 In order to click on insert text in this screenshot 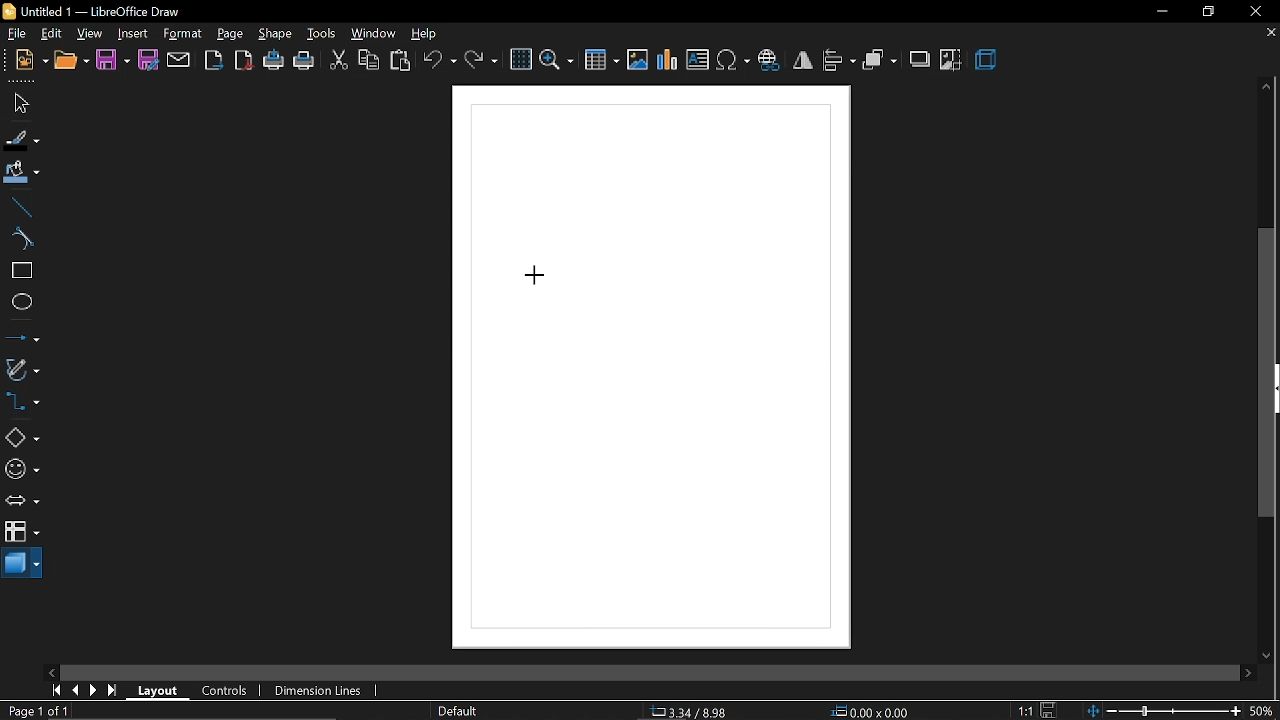, I will do `click(698, 60)`.